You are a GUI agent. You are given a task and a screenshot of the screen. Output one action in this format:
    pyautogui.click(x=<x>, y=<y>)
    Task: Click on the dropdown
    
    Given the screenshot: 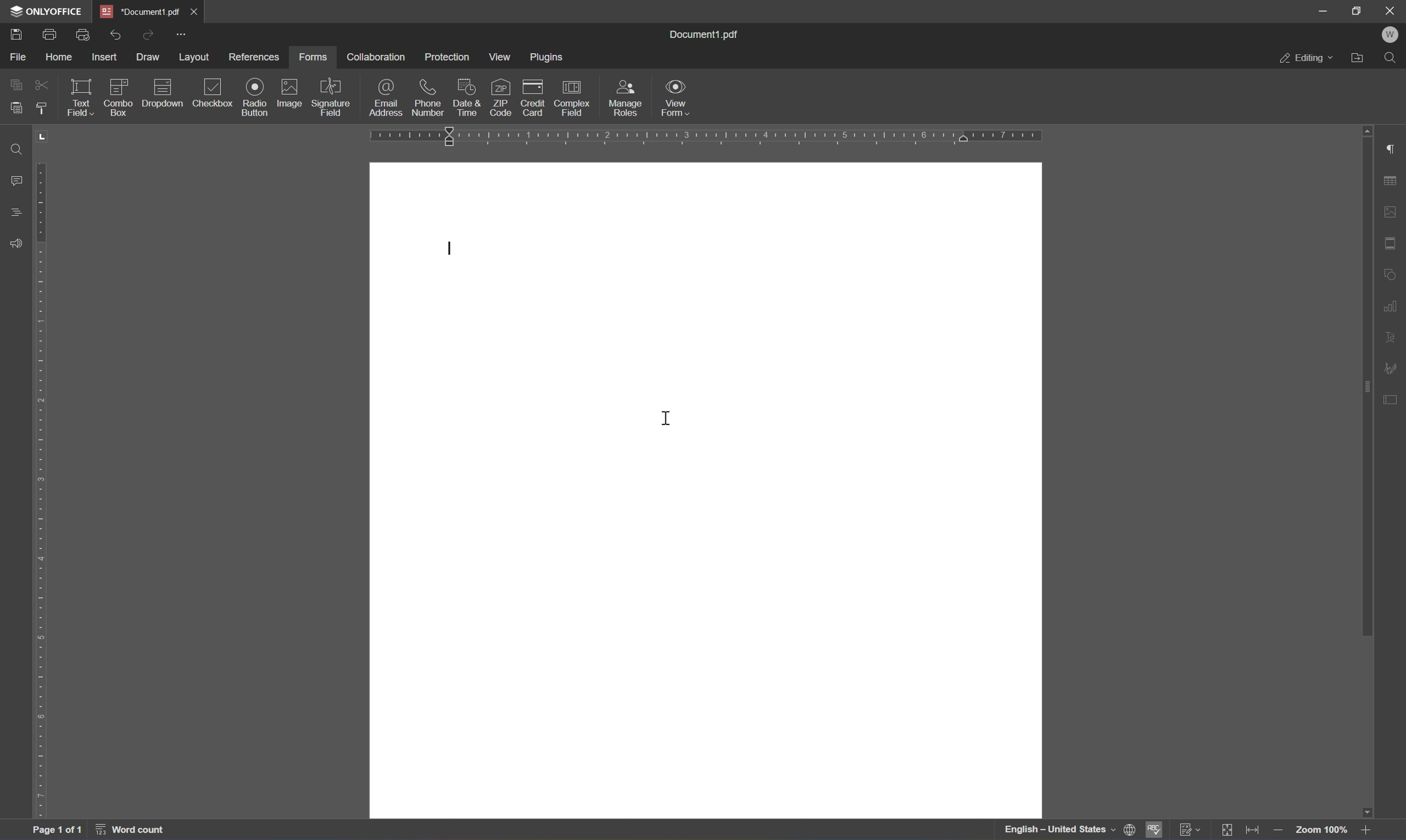 What is the action you would take?
    pyautogui.click(x=163, y=96)
    